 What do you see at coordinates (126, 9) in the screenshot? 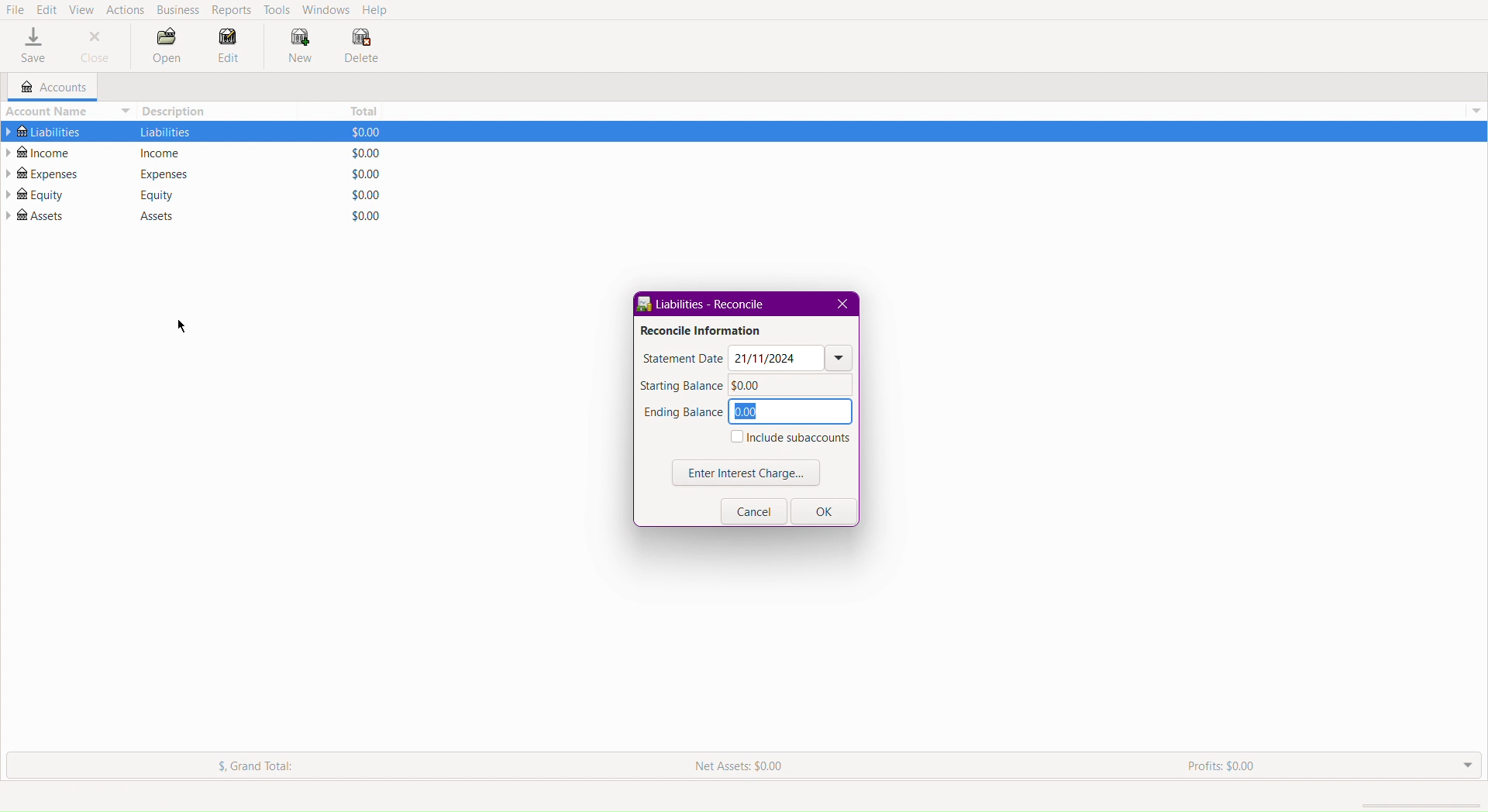
I see `Actions` at bounding box center [126, 9].